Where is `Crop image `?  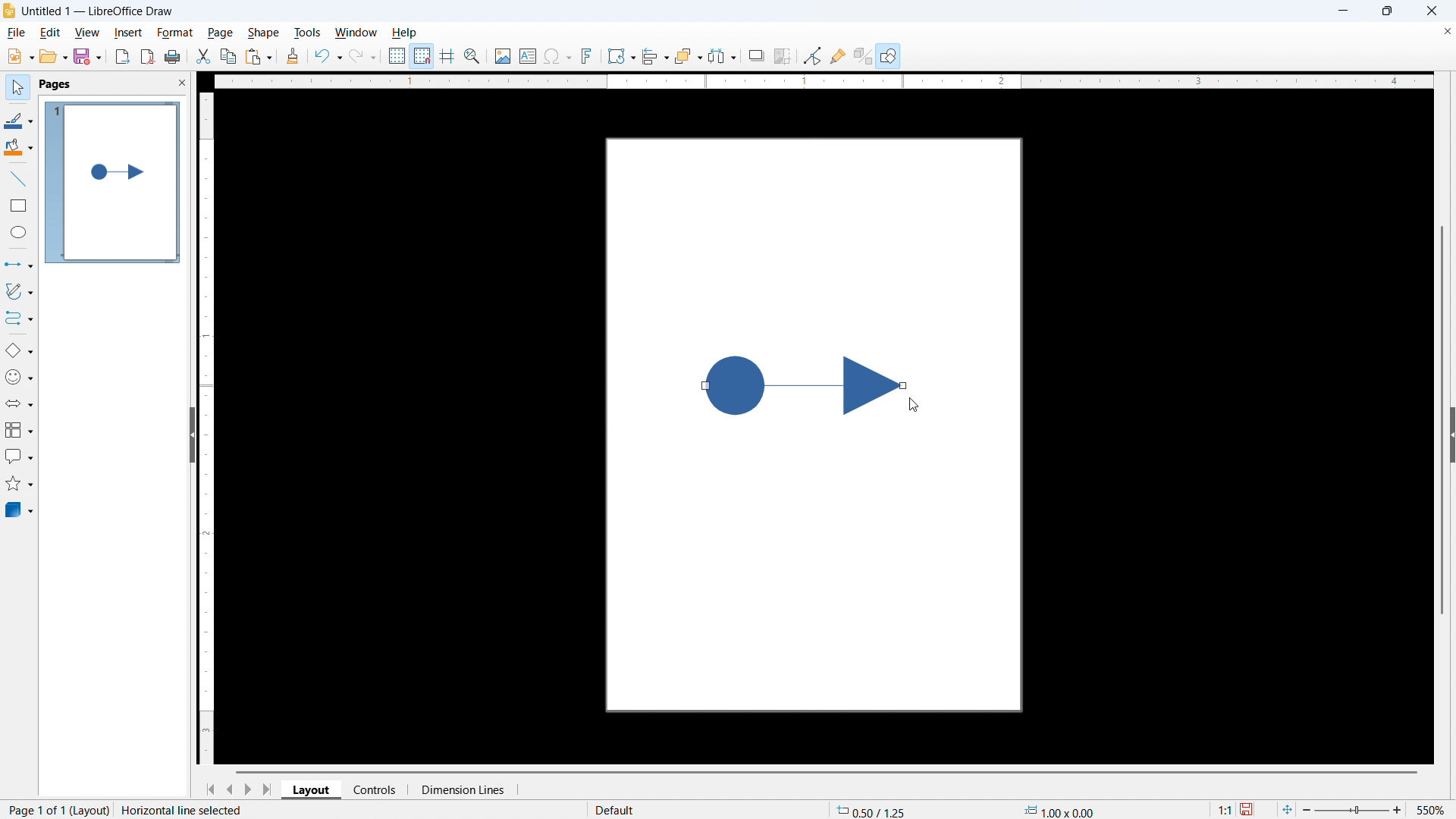 Crop image  is located at coordinates (783, 55).